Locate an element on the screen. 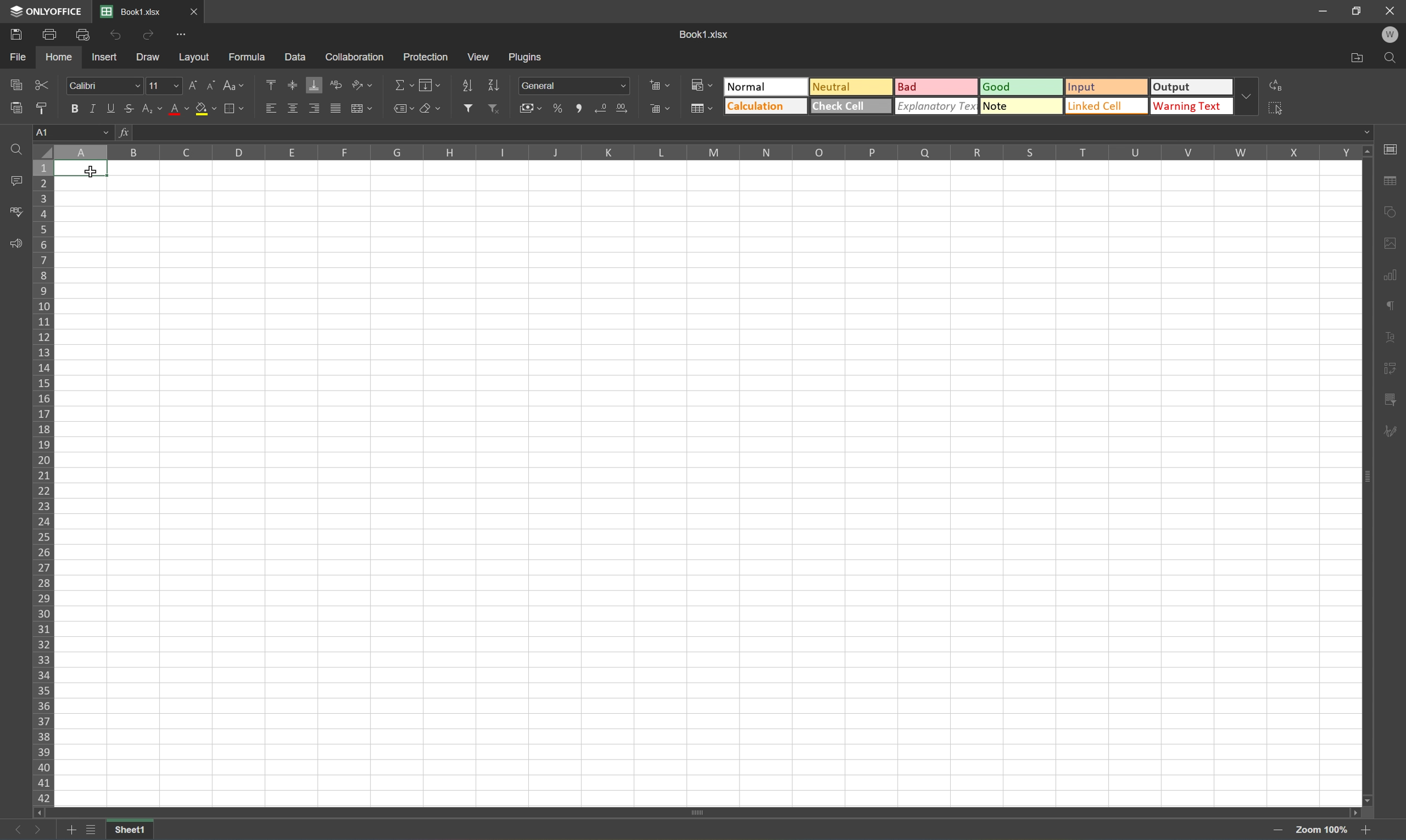 The height and width of the screenshot is (840, 1406). Layout is located at coordinates (194, 58).